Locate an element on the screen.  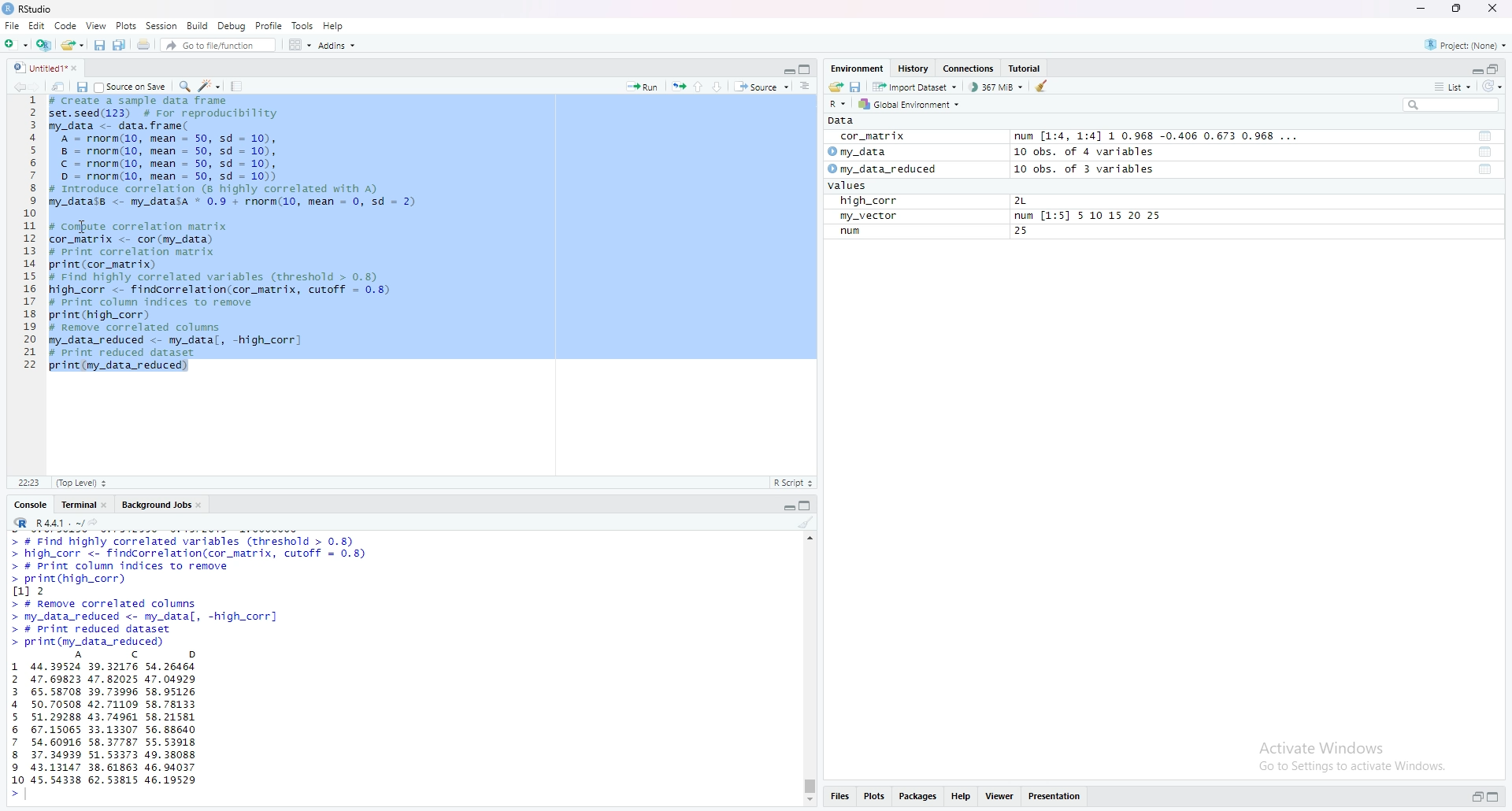
History is located at coordinates (914, 67).